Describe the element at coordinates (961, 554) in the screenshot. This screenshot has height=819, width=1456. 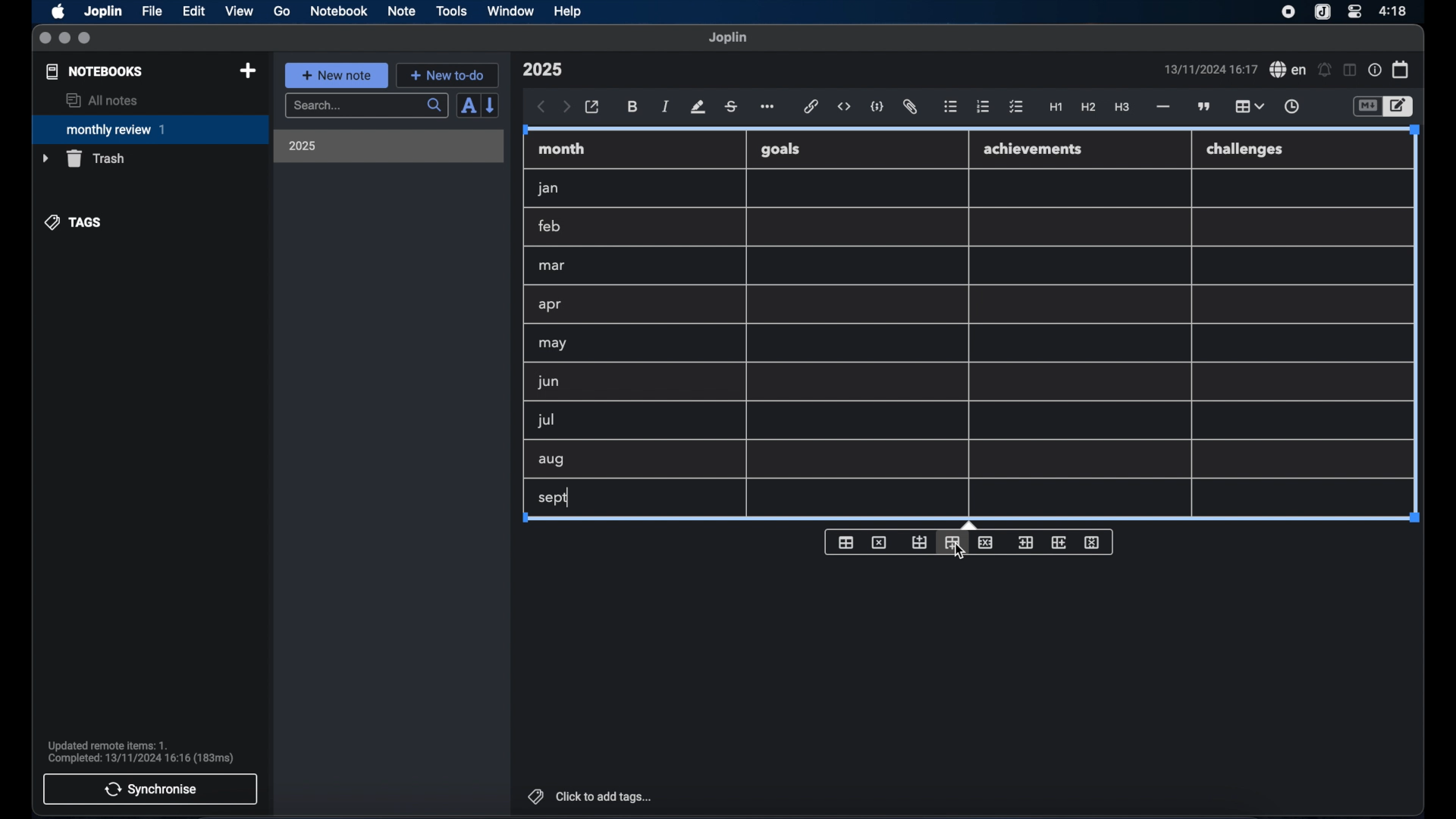
I see `cursor` at that location.